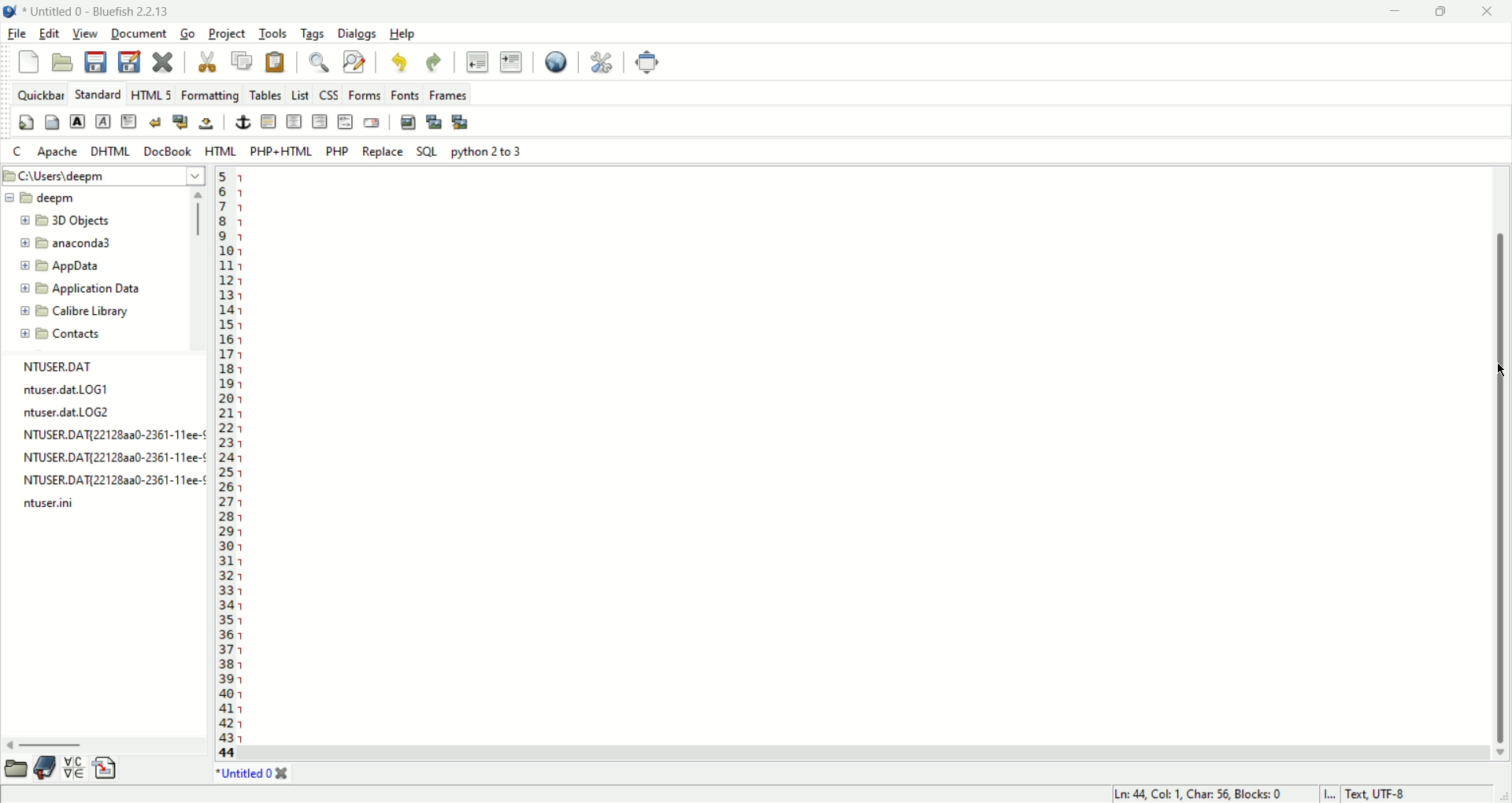  What do you see at coordinates (76, 768) in the screenshot?
I see `charmap` at bounding box center [76, 768].